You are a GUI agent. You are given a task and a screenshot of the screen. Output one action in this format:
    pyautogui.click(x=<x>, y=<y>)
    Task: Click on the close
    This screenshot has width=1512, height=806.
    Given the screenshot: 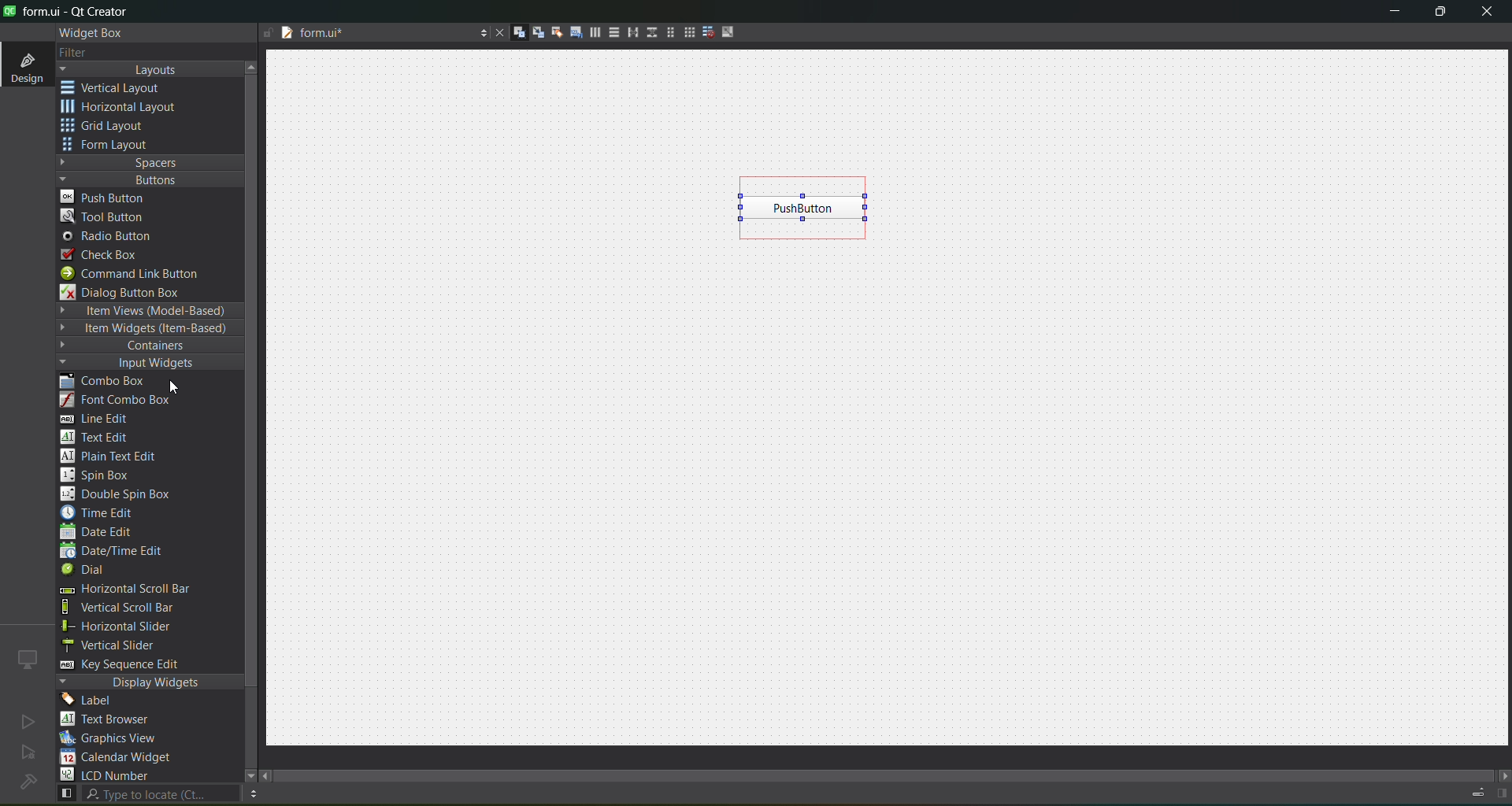 What is the action you would take?
    pyautogui.click(x=1487, y=13)
    